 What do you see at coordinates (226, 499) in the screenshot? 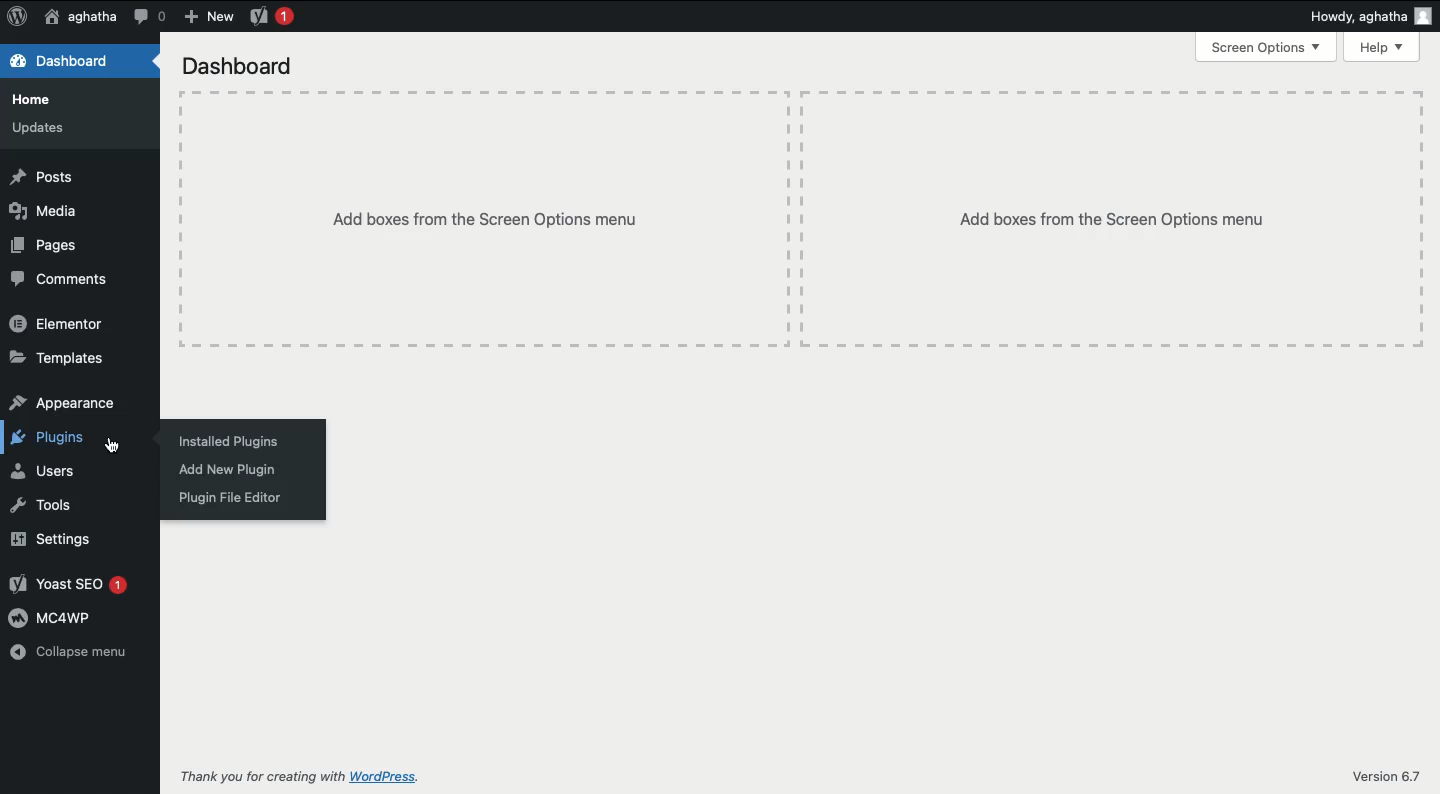
I see `Plugin file editor` at bounding box center [226, 499].